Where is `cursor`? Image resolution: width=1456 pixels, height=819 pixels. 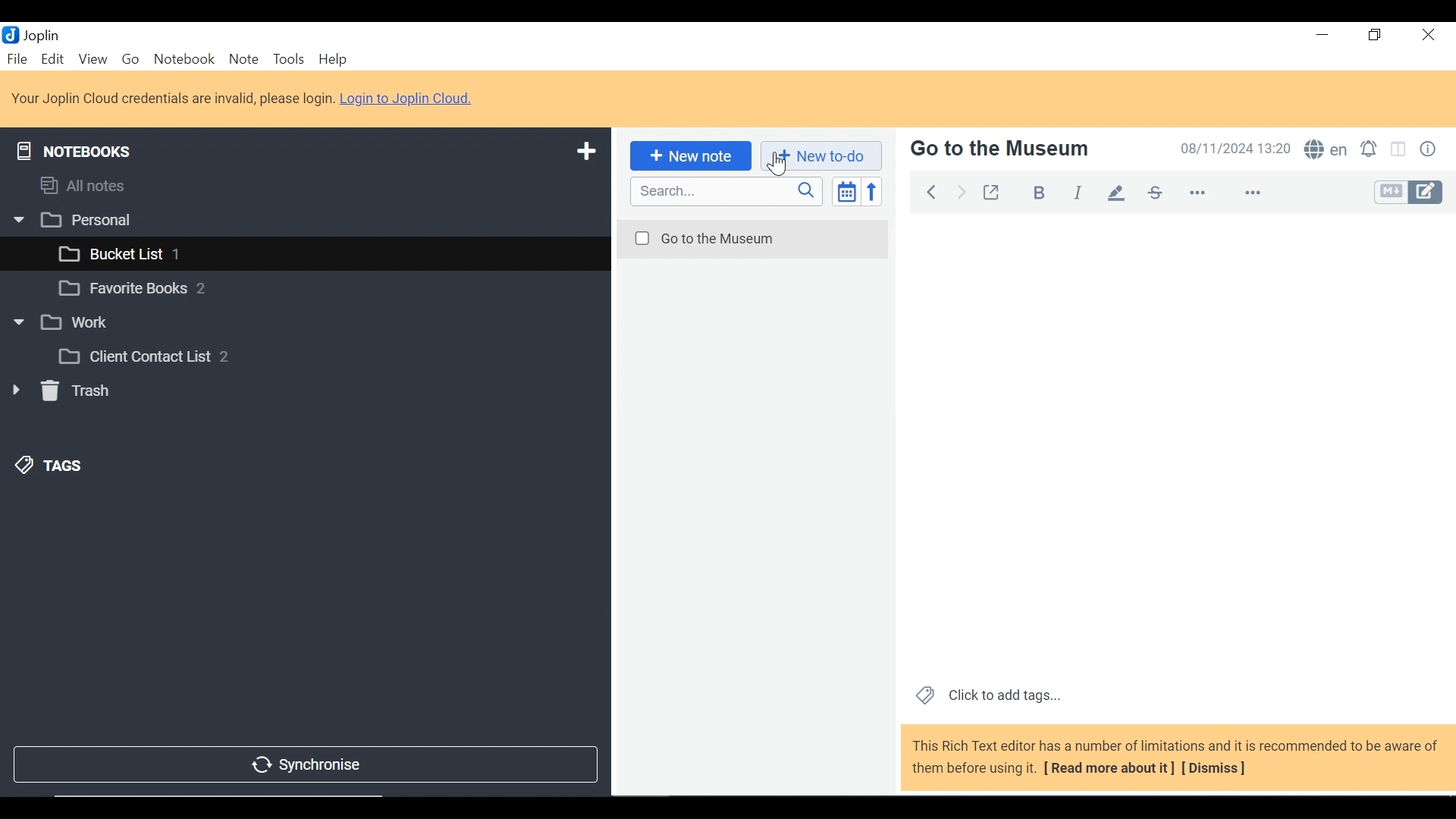
cursor is located at coordinates (774, 165).